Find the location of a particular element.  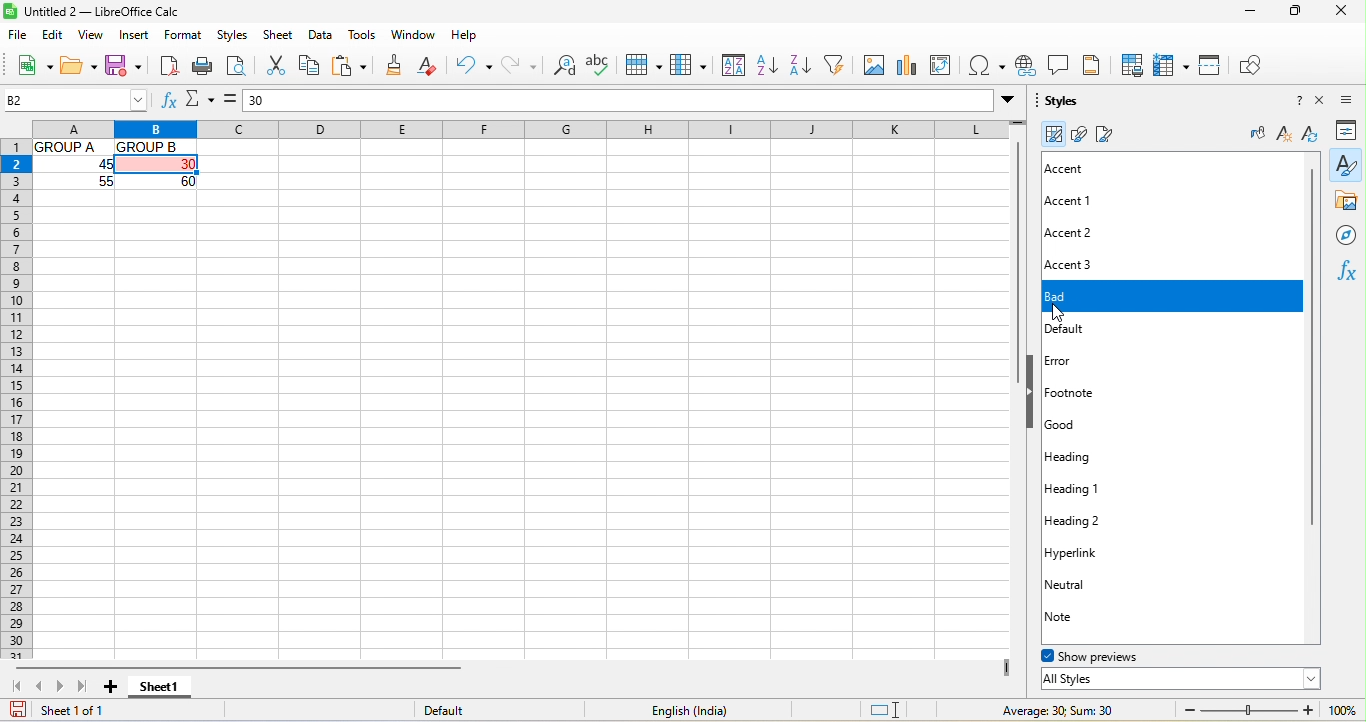

hyperlink is located at coordinates (1092, 551).